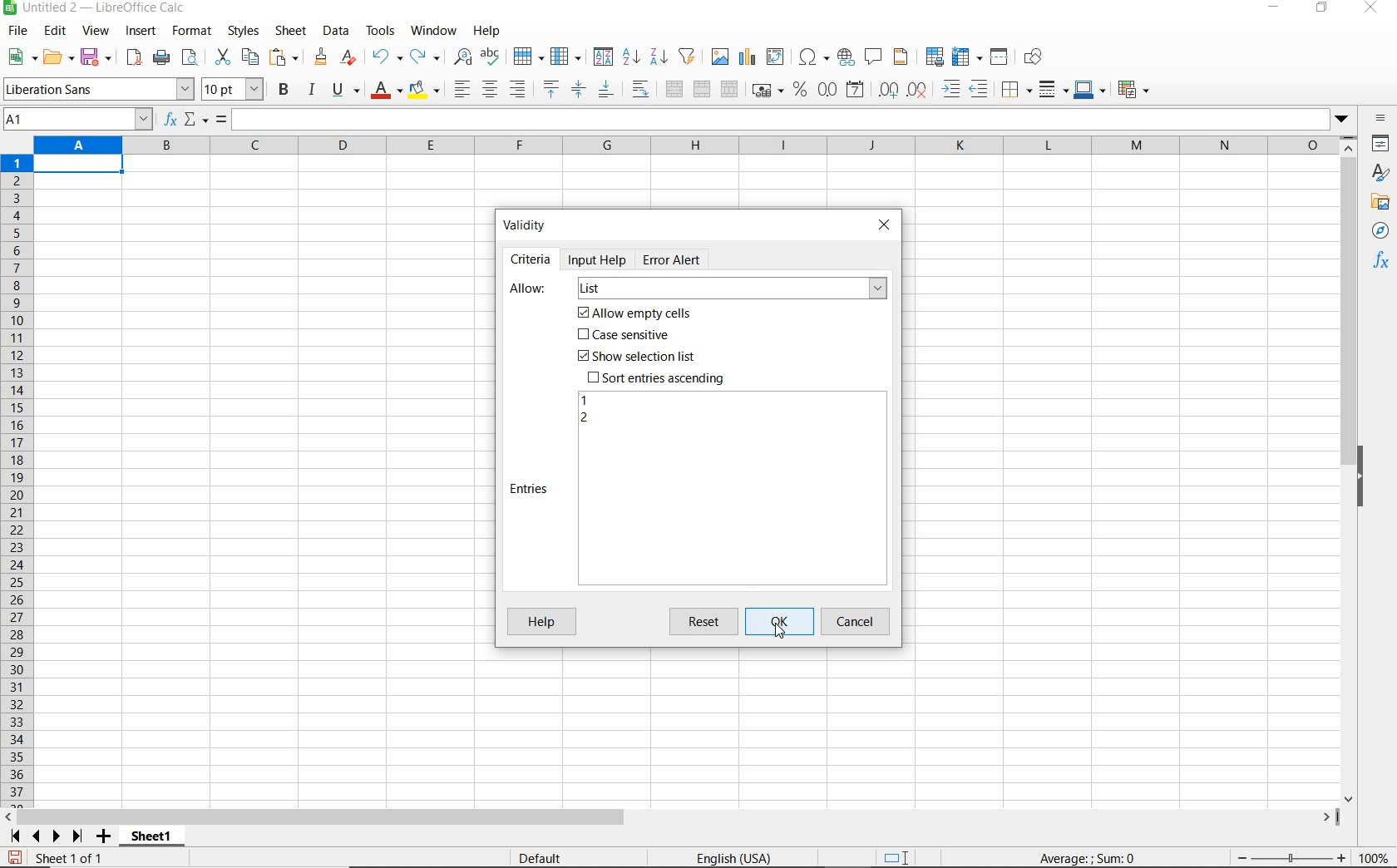  Describe the element at coordinates (322, 57) in the screenshot. I see `clone formatting` at that location.